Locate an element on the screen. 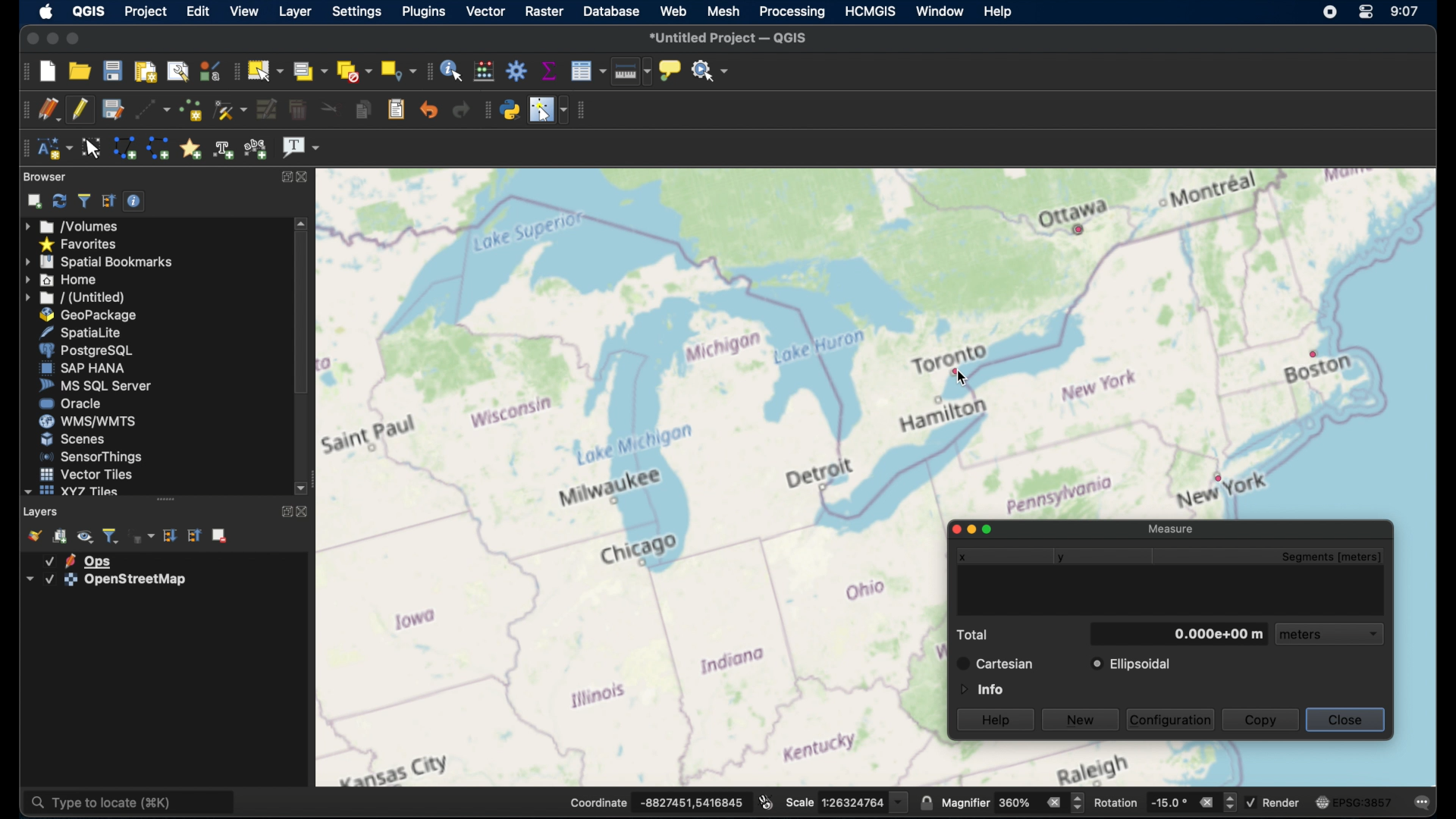 The image size is (1456, 819). coordinate is located at coordinates (656, 801).